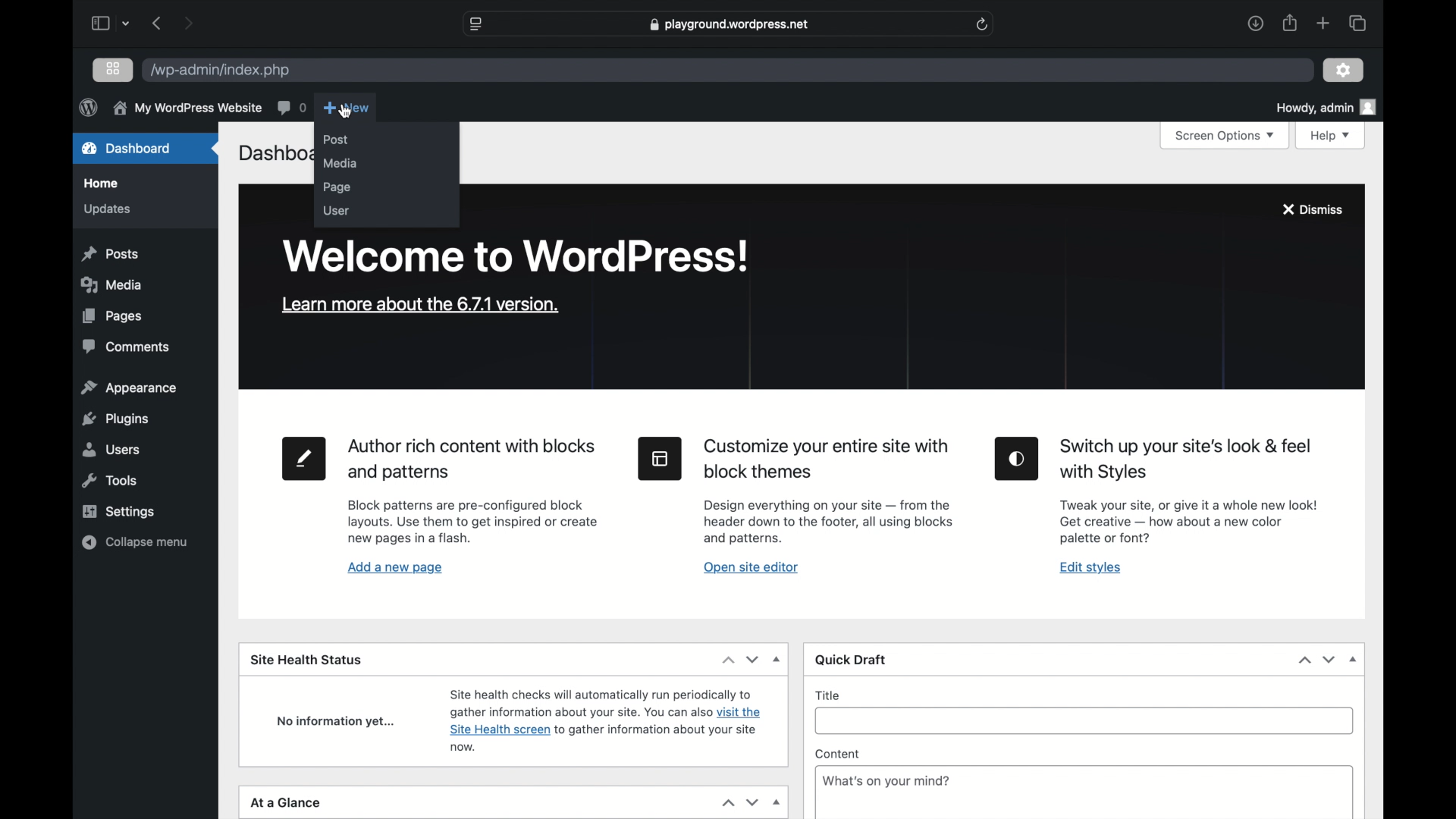 The width and height of the screenshot is (1456, 819). What do you see at coordinates (395, 567) in the screenshot?
I see `add a new page` at bounding box center [395, 567].